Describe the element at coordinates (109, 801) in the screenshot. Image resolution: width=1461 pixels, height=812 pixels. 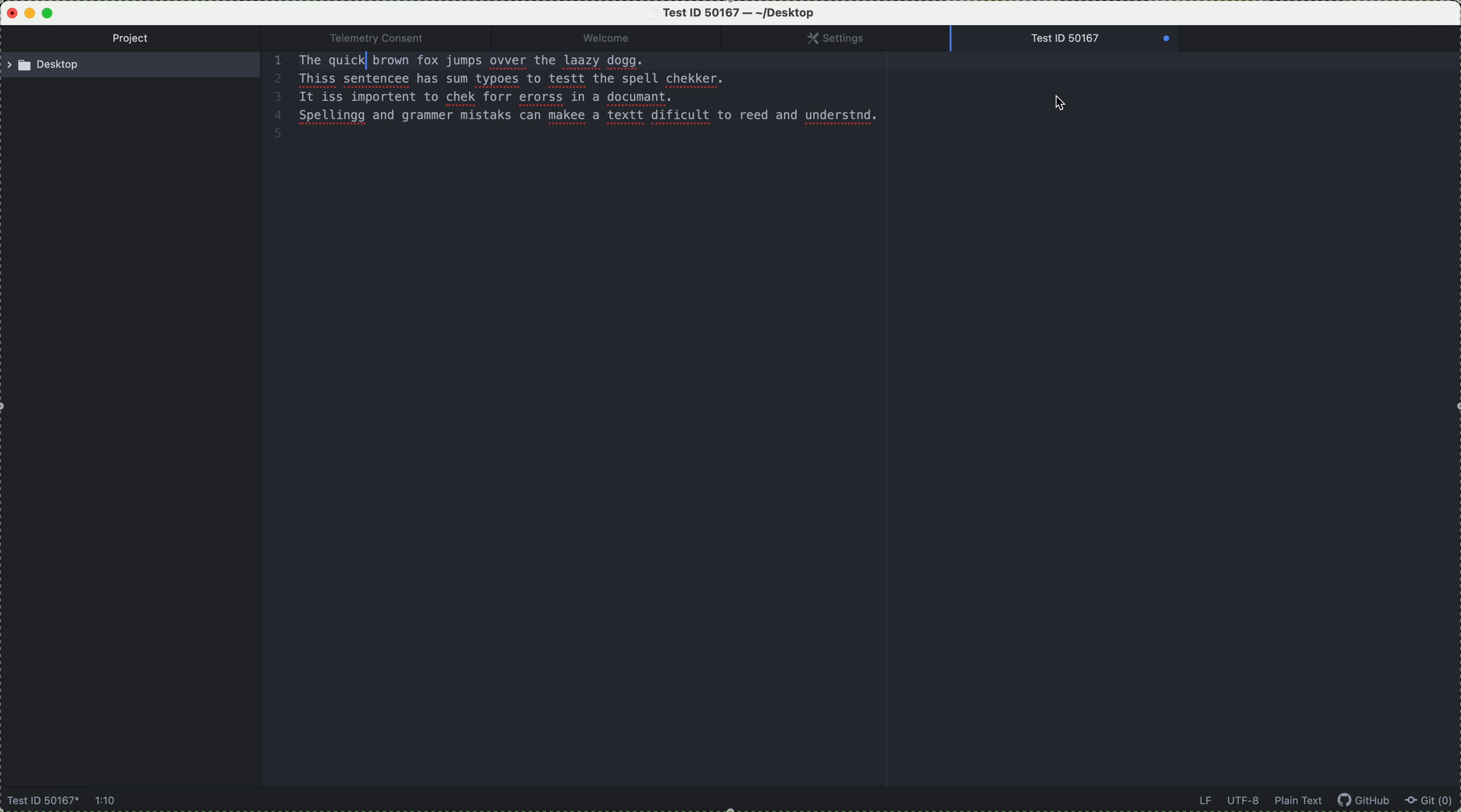
I see `1:10` at that location.